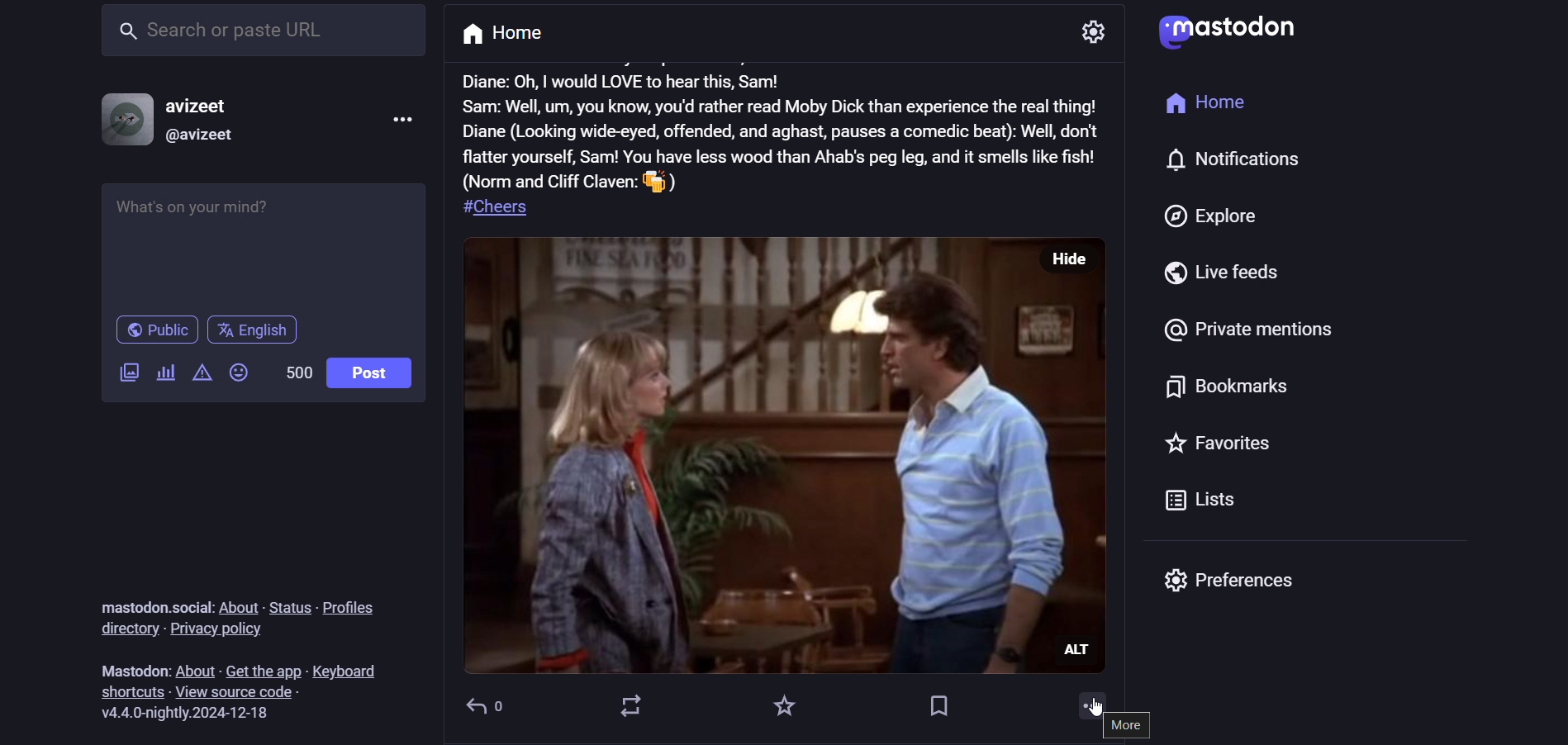  Describe the element at coordinates (1227, 31) in the screenshot. I see `logo` at that location.